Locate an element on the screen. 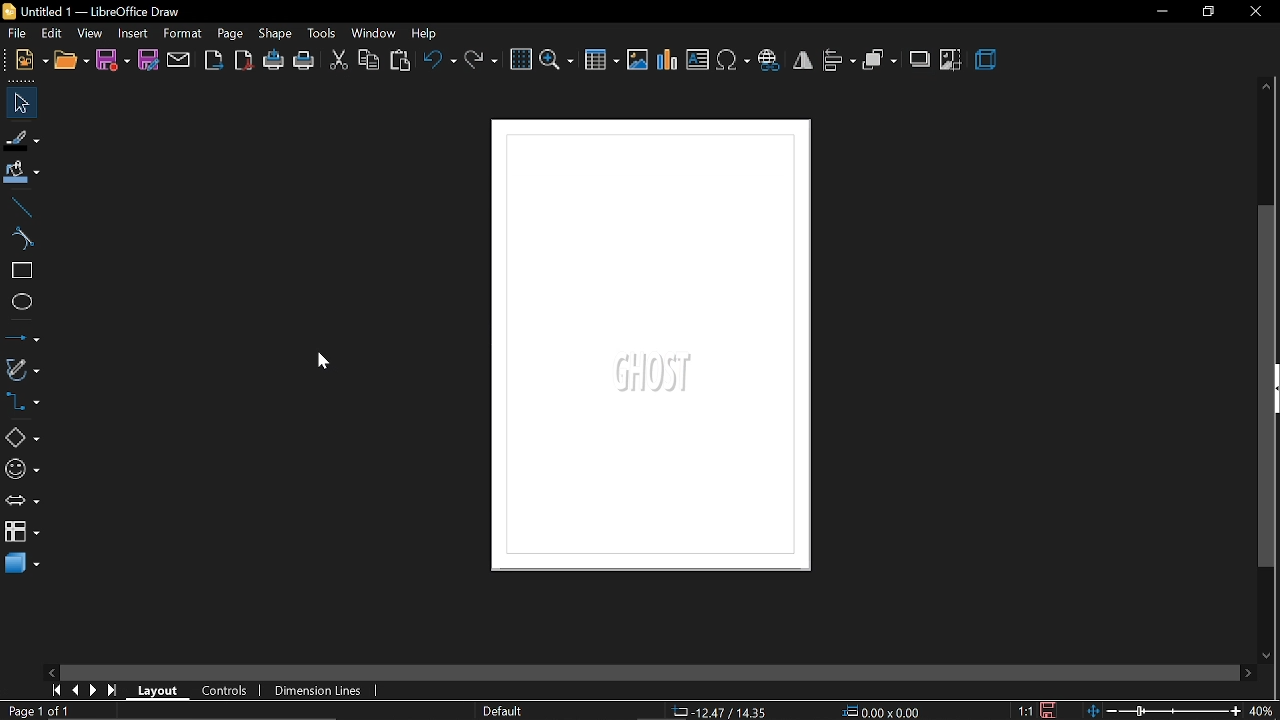 Image resolution: width=1280 pixels, height=720 pixels. 40% is located at coordinates (1262, 711).